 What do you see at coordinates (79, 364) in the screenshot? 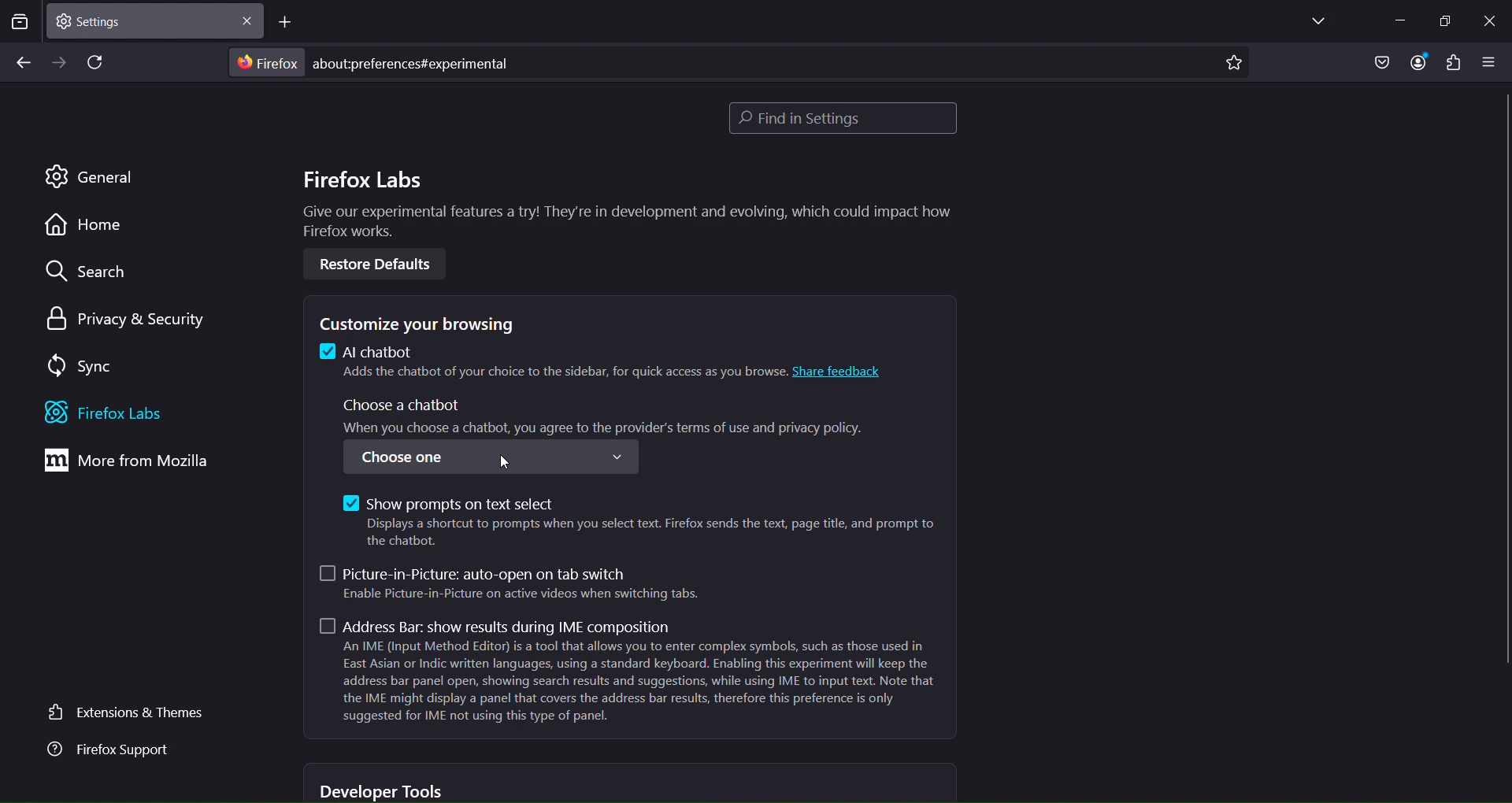
I see `sync` at bounding box center [79, 364].